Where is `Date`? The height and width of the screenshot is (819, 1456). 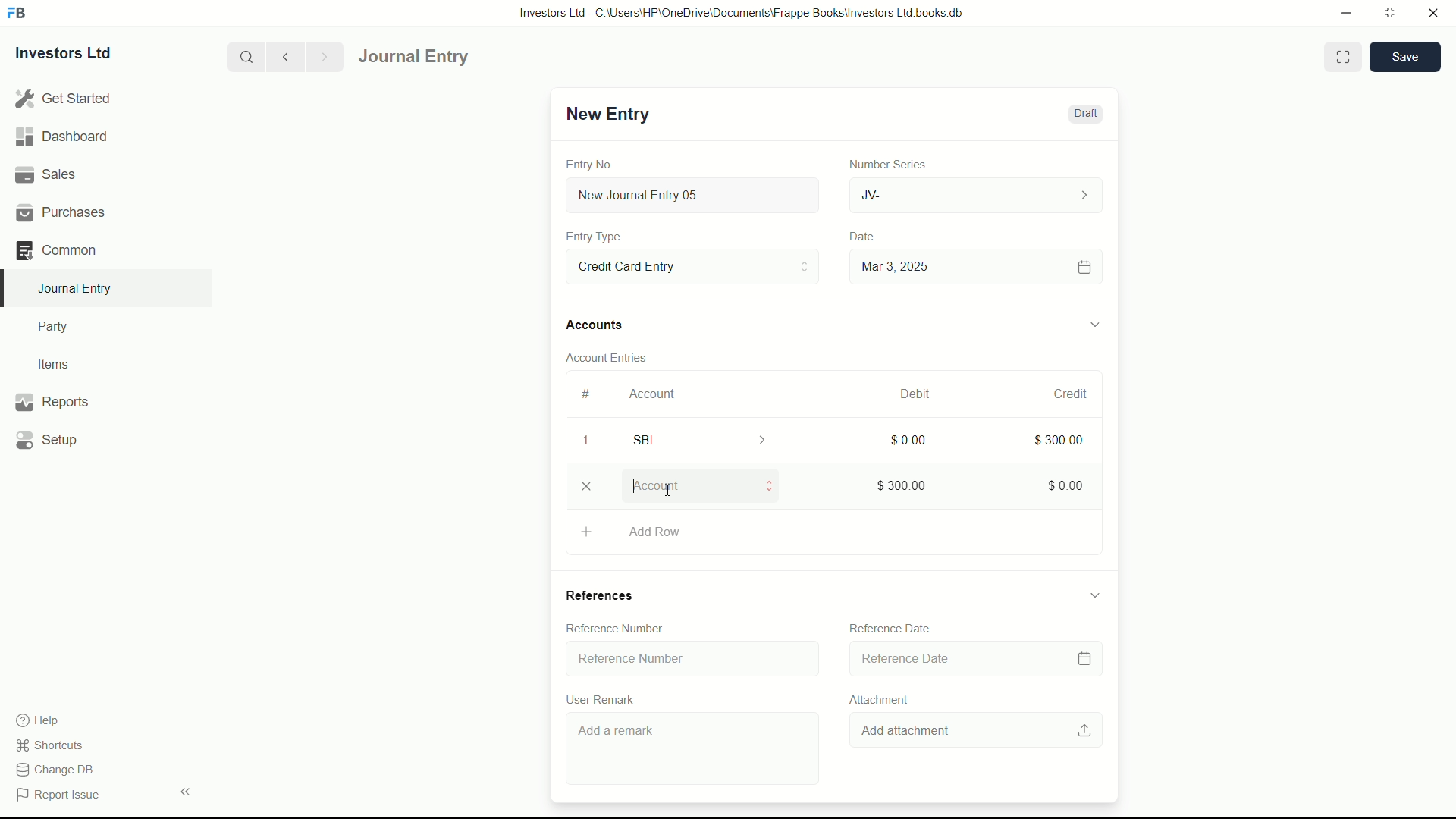 Date is located at coordinates (864, 237).